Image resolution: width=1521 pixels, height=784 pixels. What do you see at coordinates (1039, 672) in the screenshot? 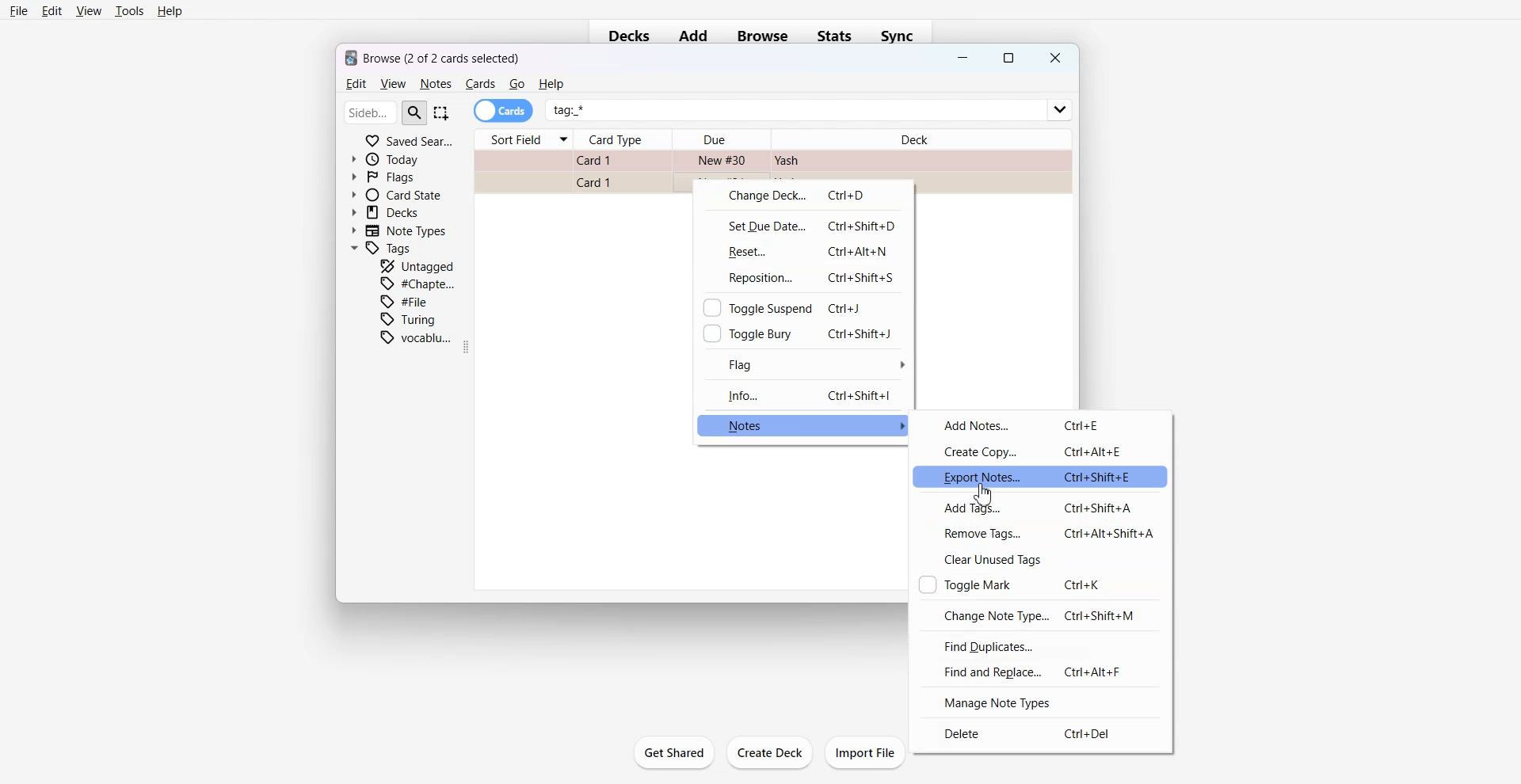
I see `Find and Replace` at bounding box center [1039, 672].